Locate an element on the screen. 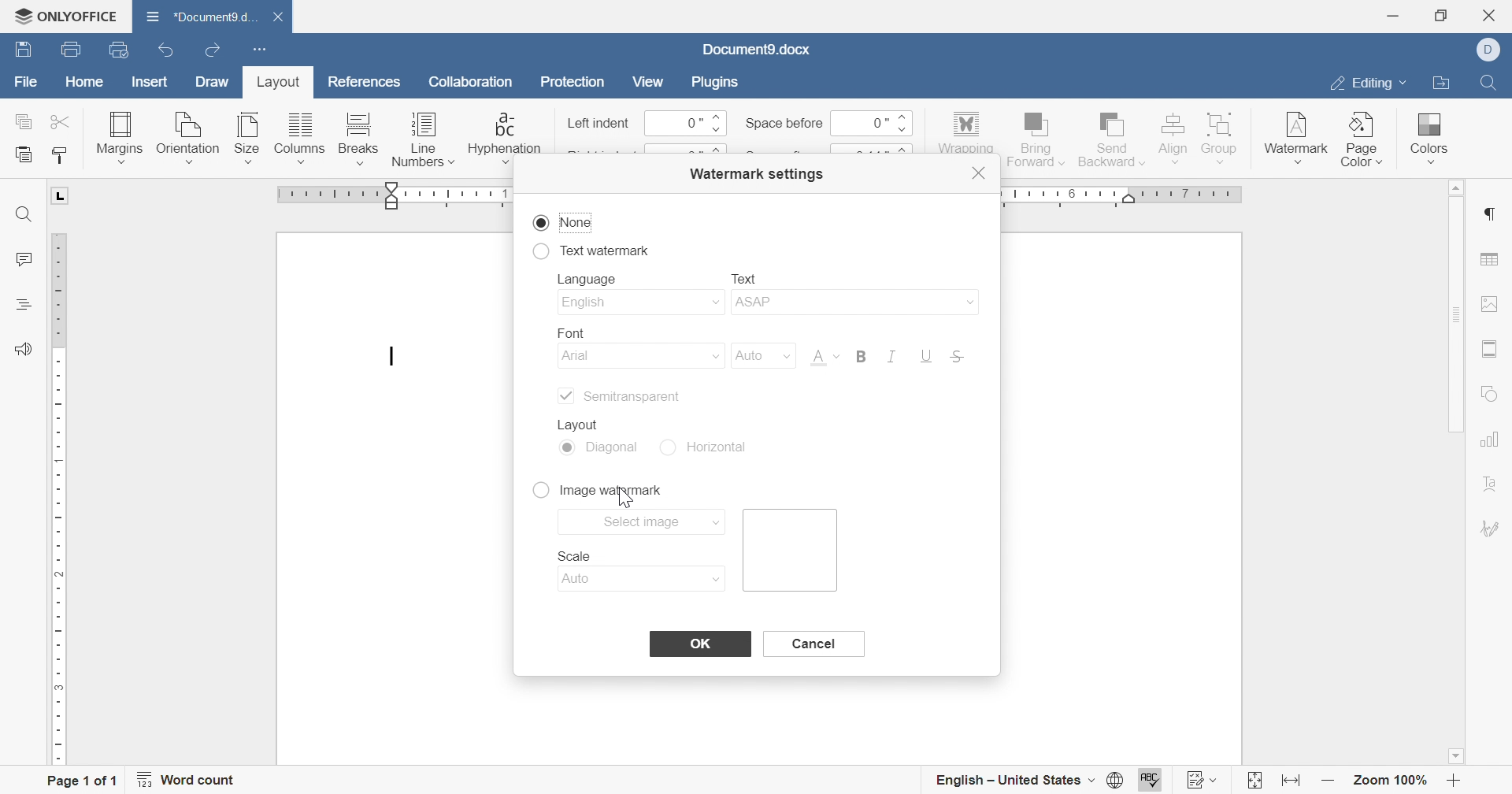 This screenshot has height=794, width=1512. ruler is located at coordinates (59, 499).